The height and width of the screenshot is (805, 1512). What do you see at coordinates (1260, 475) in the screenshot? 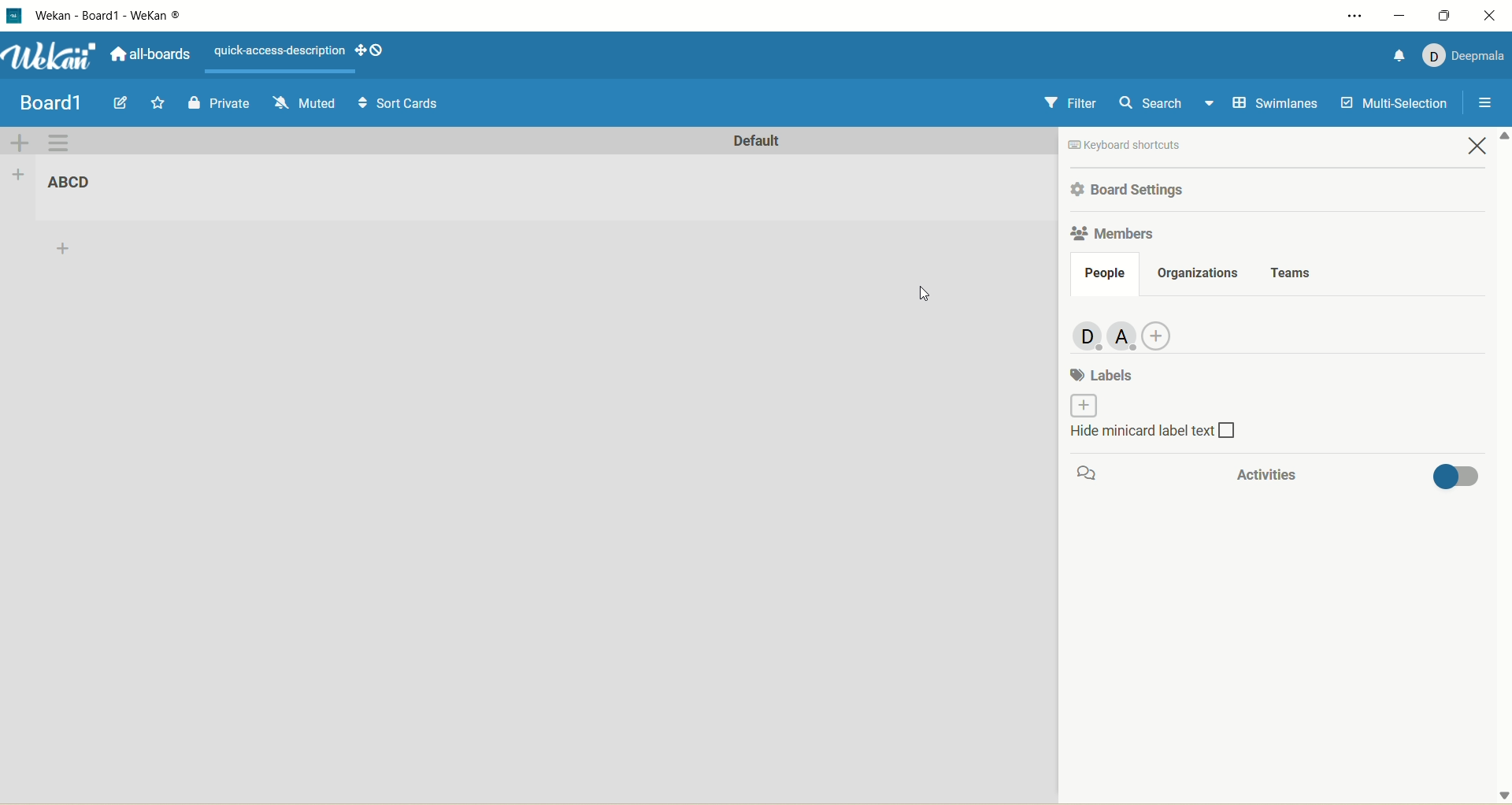
I see `activities` at bounding box center [1260, 475].